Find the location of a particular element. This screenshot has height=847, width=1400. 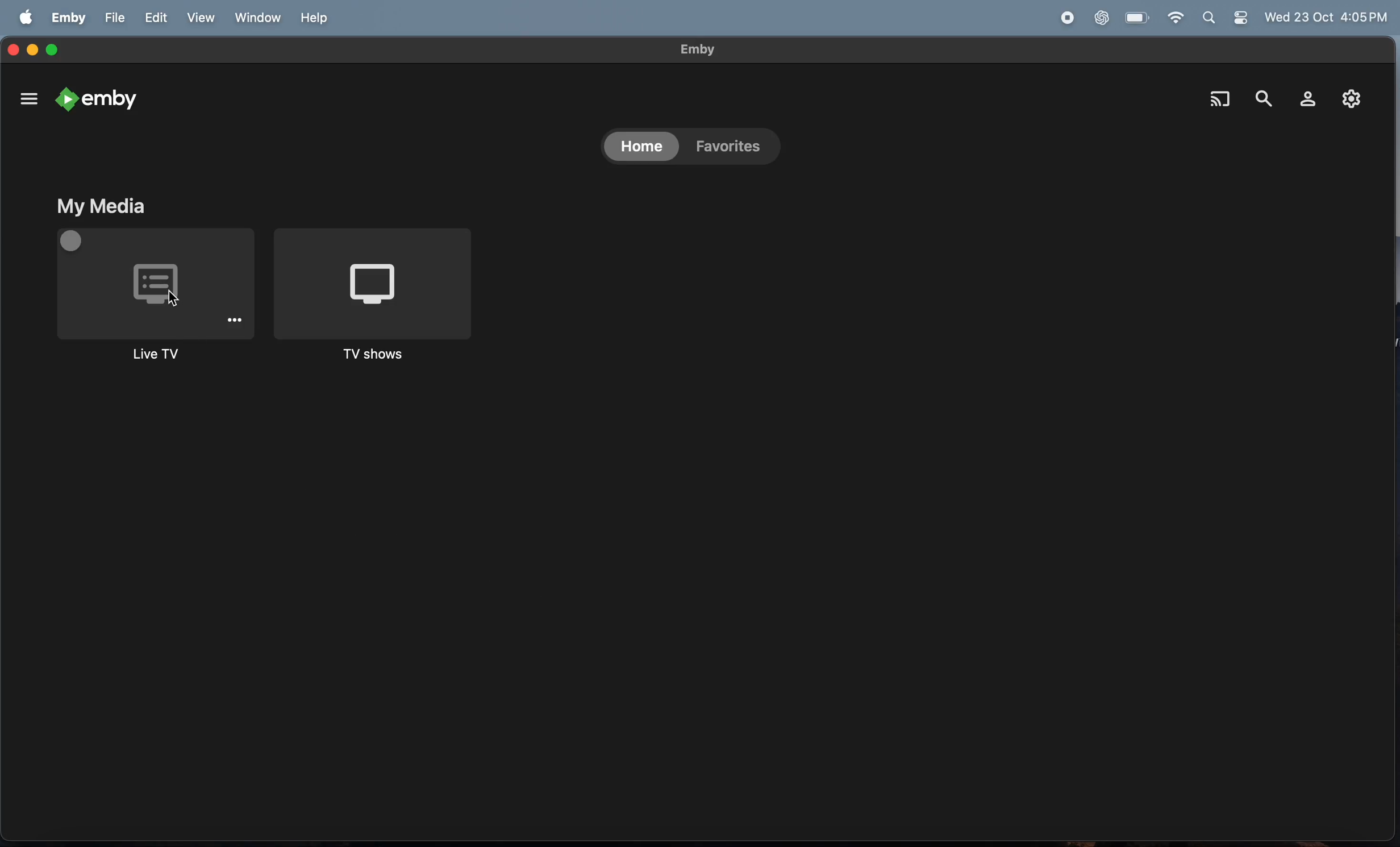

home is located at coordinates (639, 148).